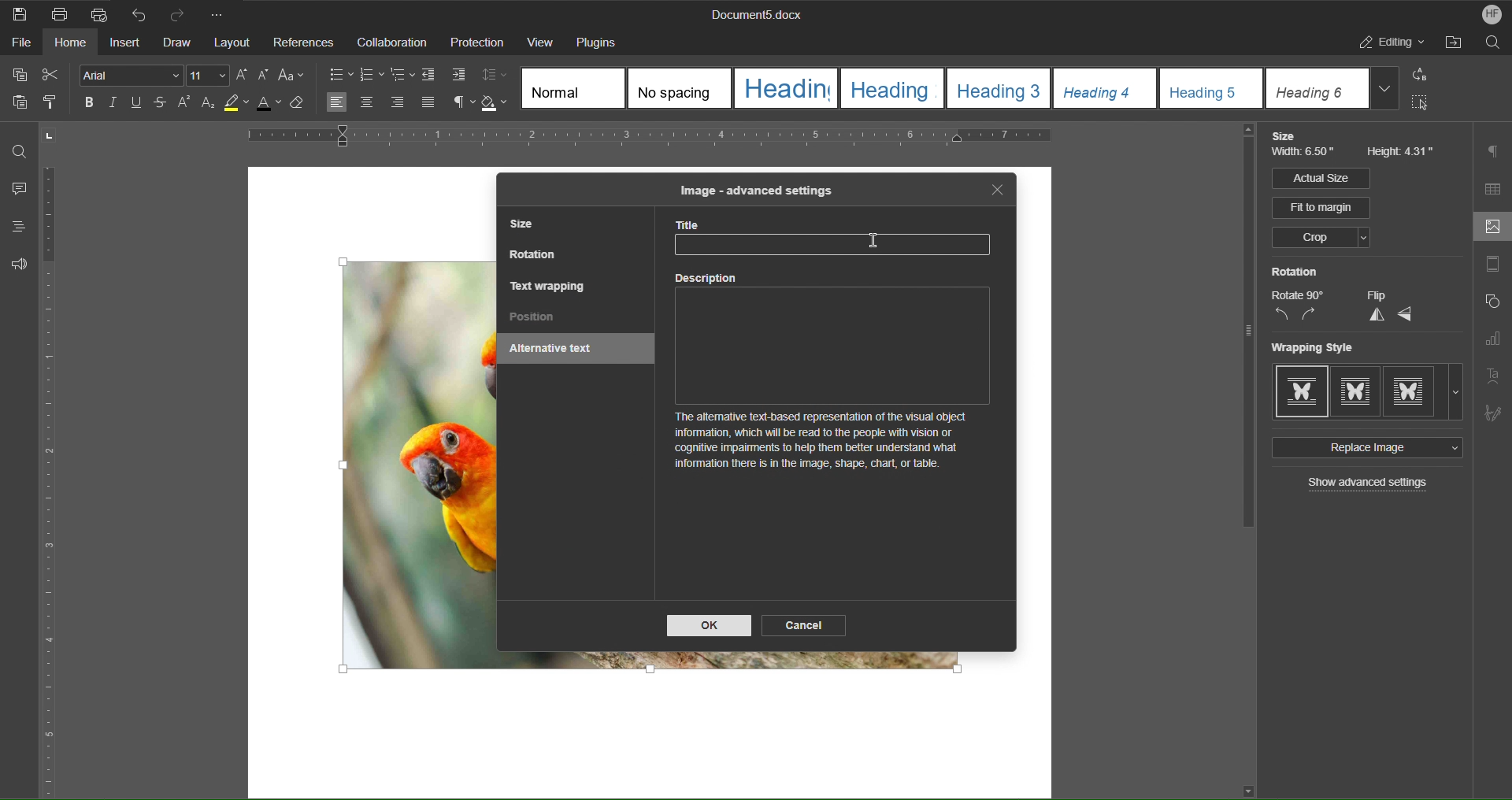 Image resolution: width=1512 pixels, height=800 pixels. Describe the element at coordinates (1320, 178) in the screenshot. I see `Actual Size` at that location.